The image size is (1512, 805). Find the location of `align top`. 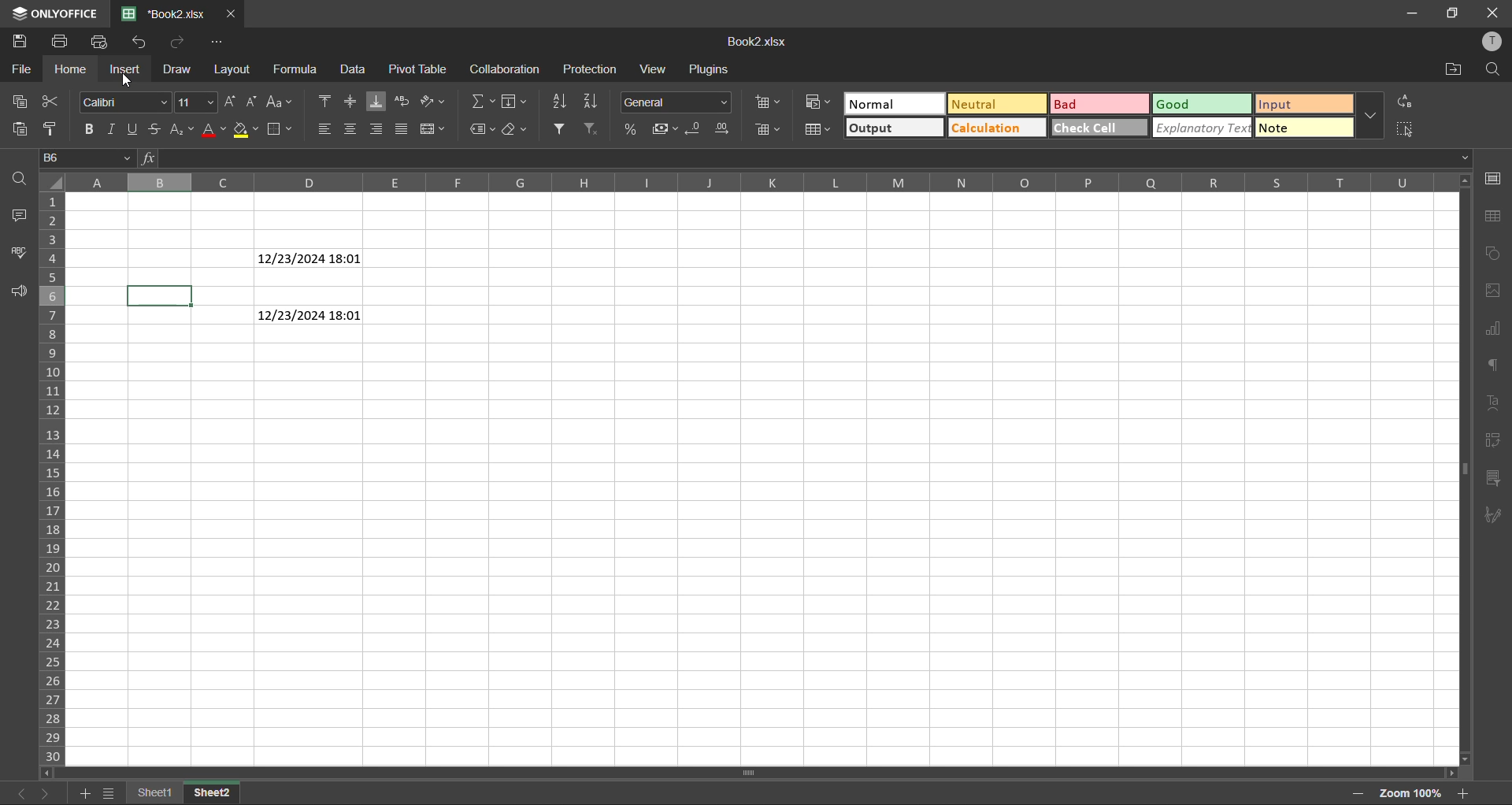

align top is located at coordinates (328, 102).